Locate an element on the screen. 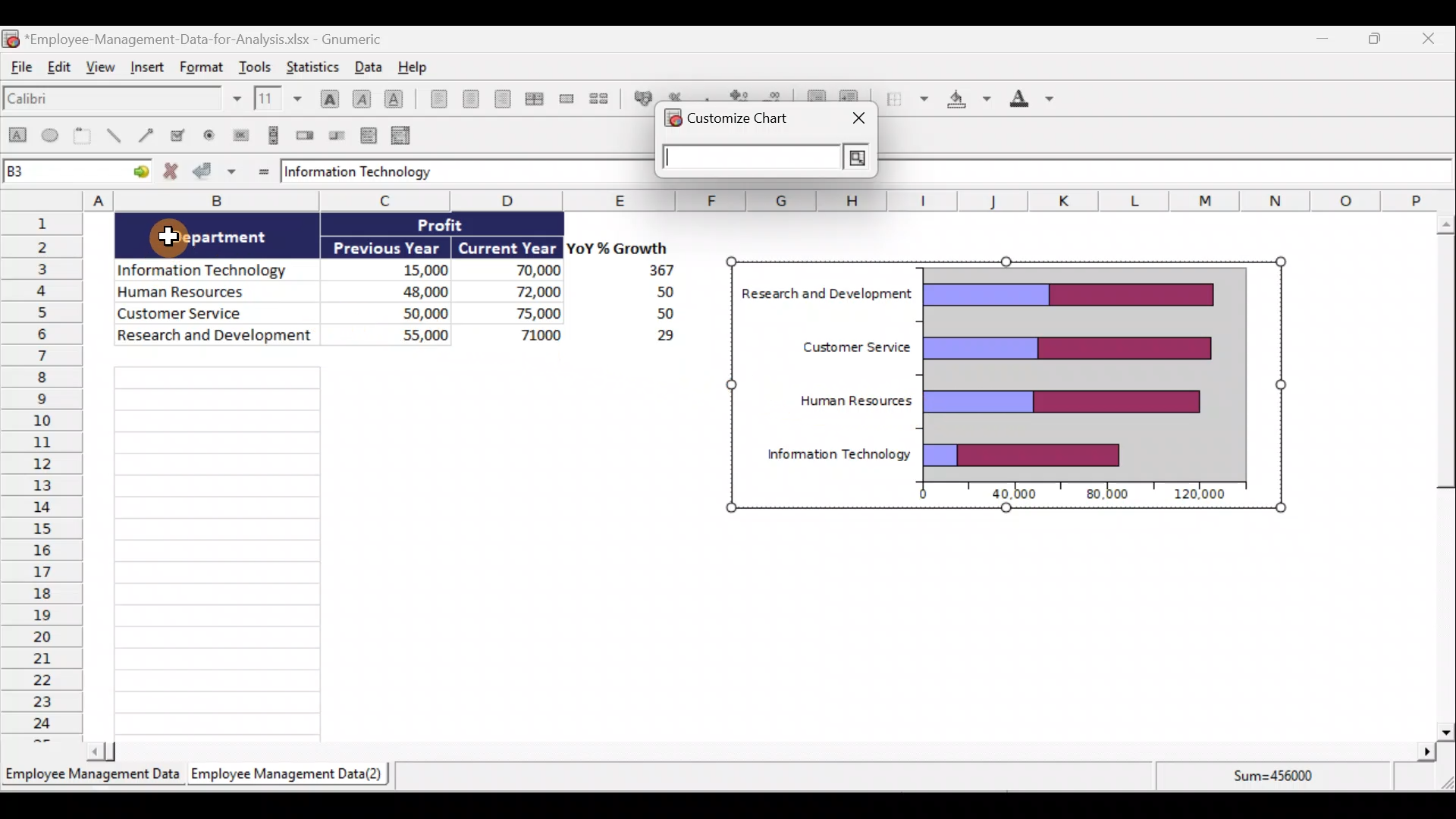  Maximize is located at coordinates (1379, 39).